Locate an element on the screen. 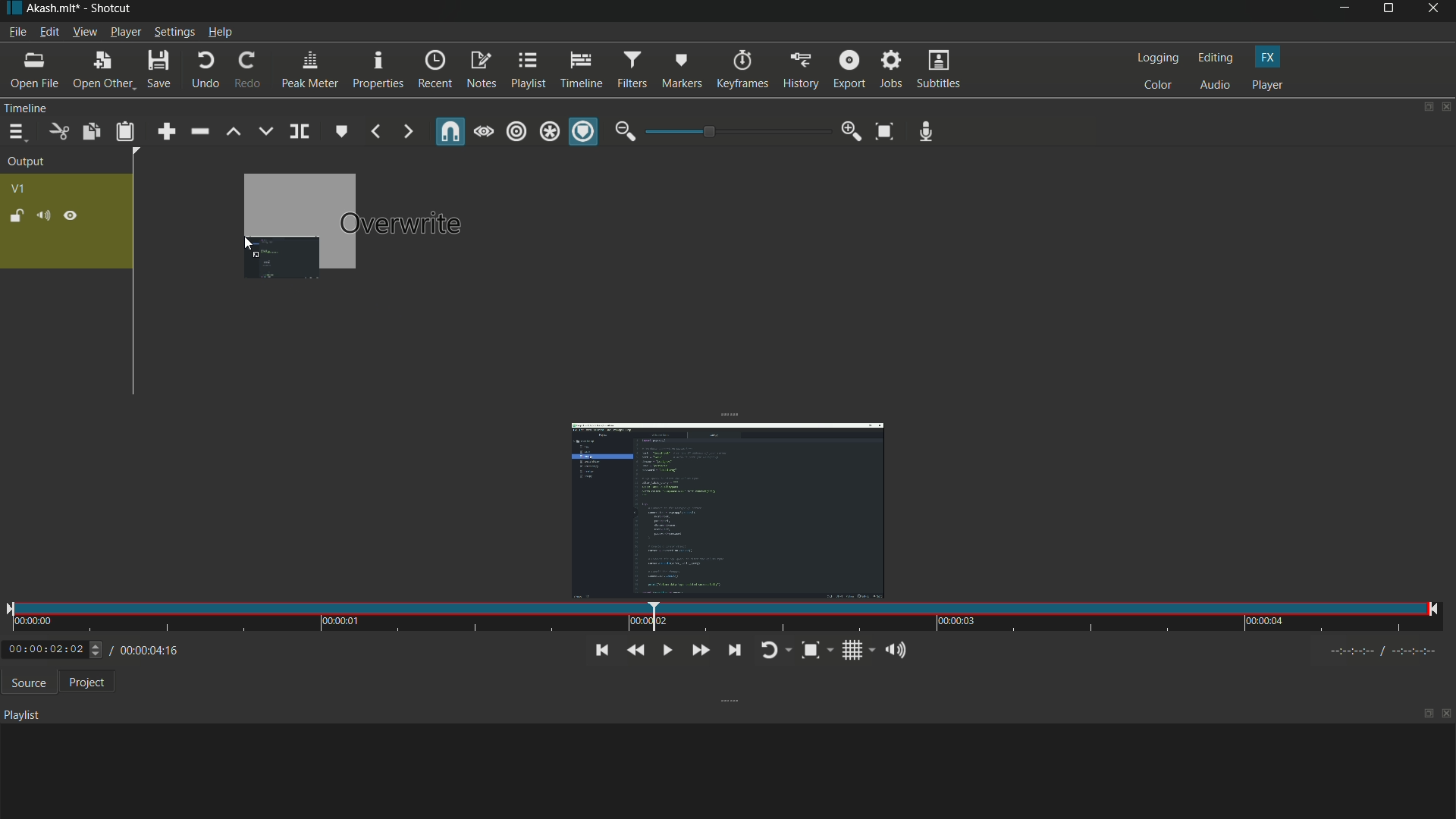 This screenshot has width=1456, height=819. close is located at coordinates (1447, 716).